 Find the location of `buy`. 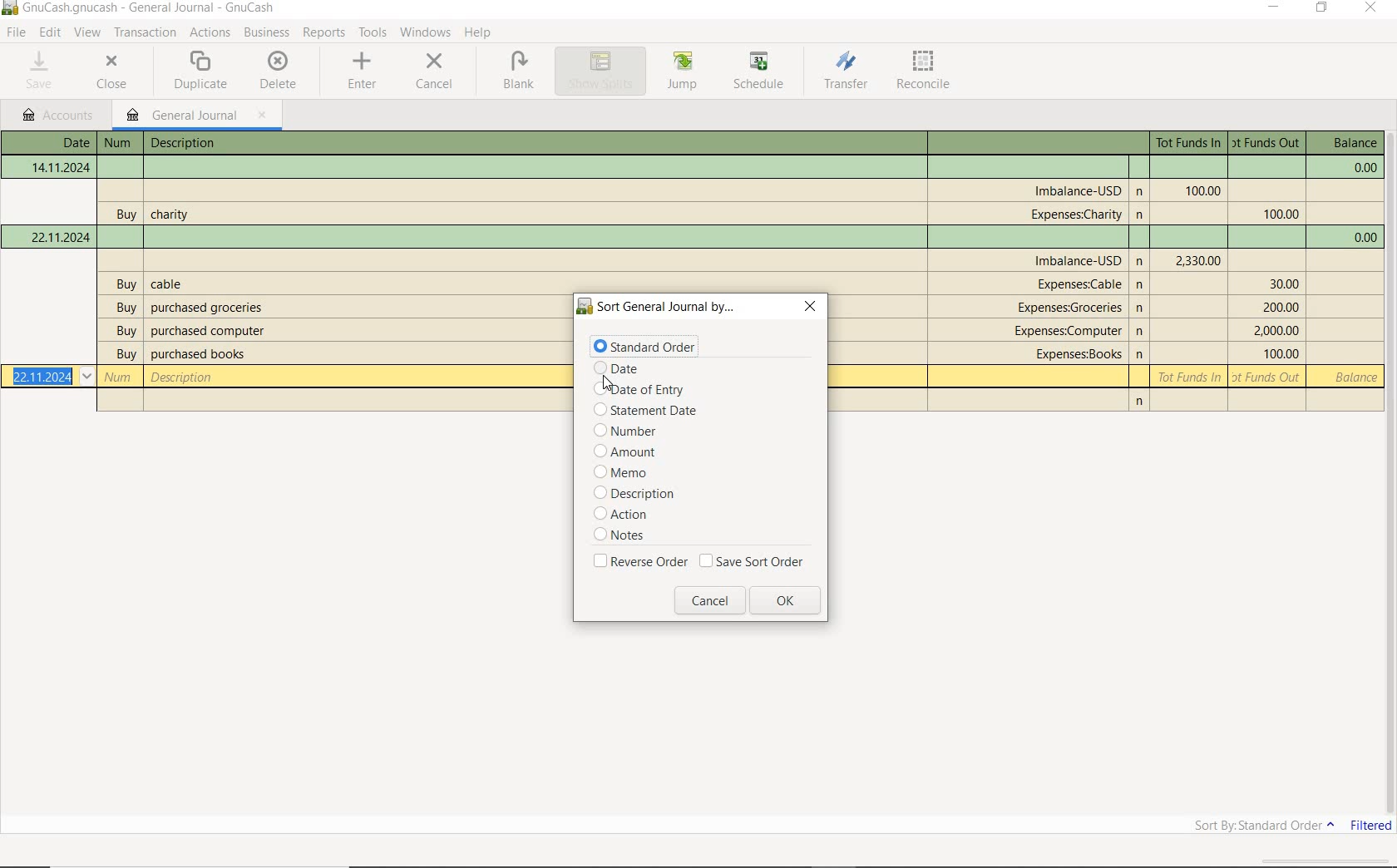

buy is located at coordinates (124, 333).